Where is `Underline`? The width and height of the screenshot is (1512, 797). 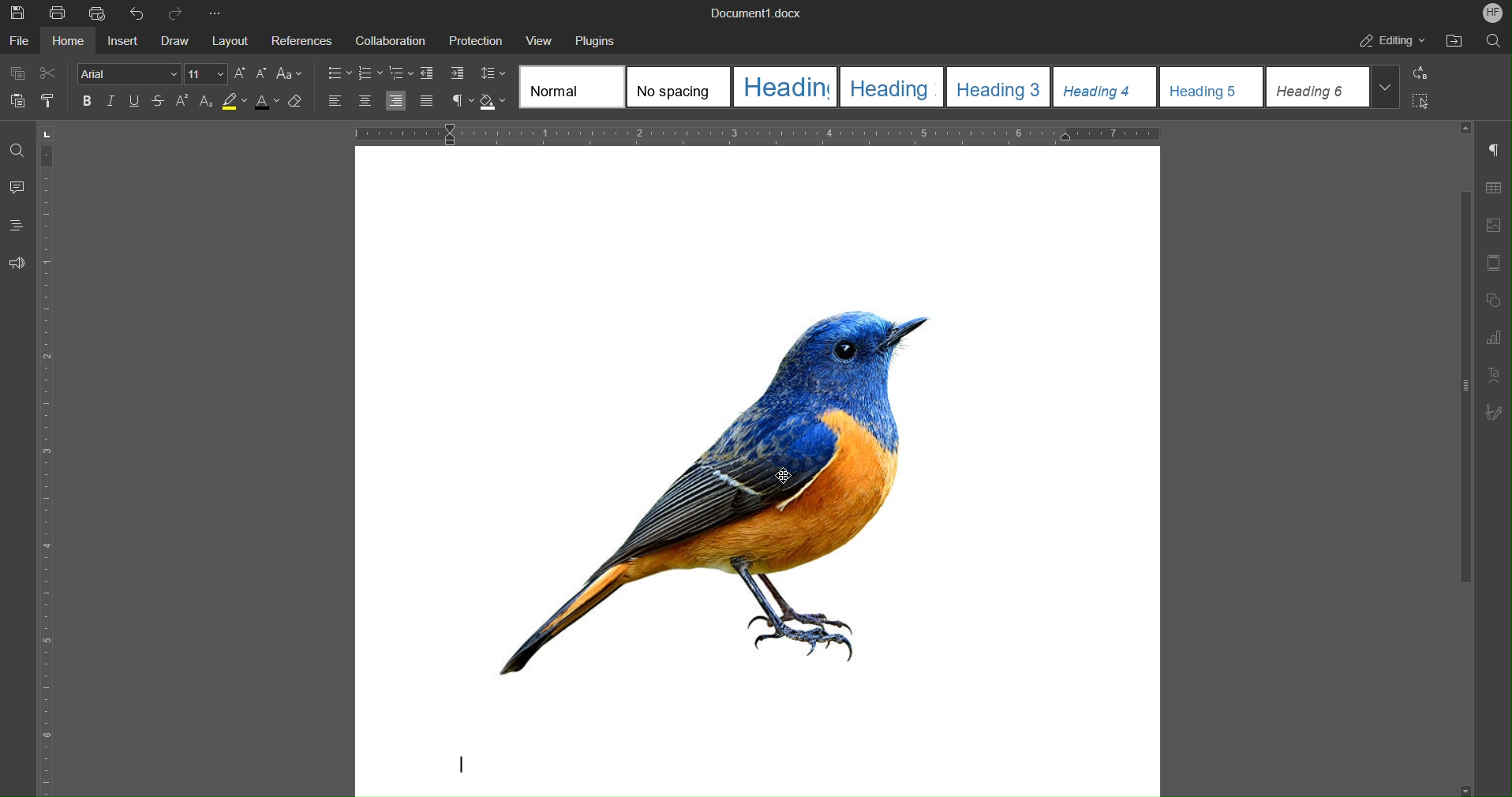 Underline is located at coordinates (135, 102).